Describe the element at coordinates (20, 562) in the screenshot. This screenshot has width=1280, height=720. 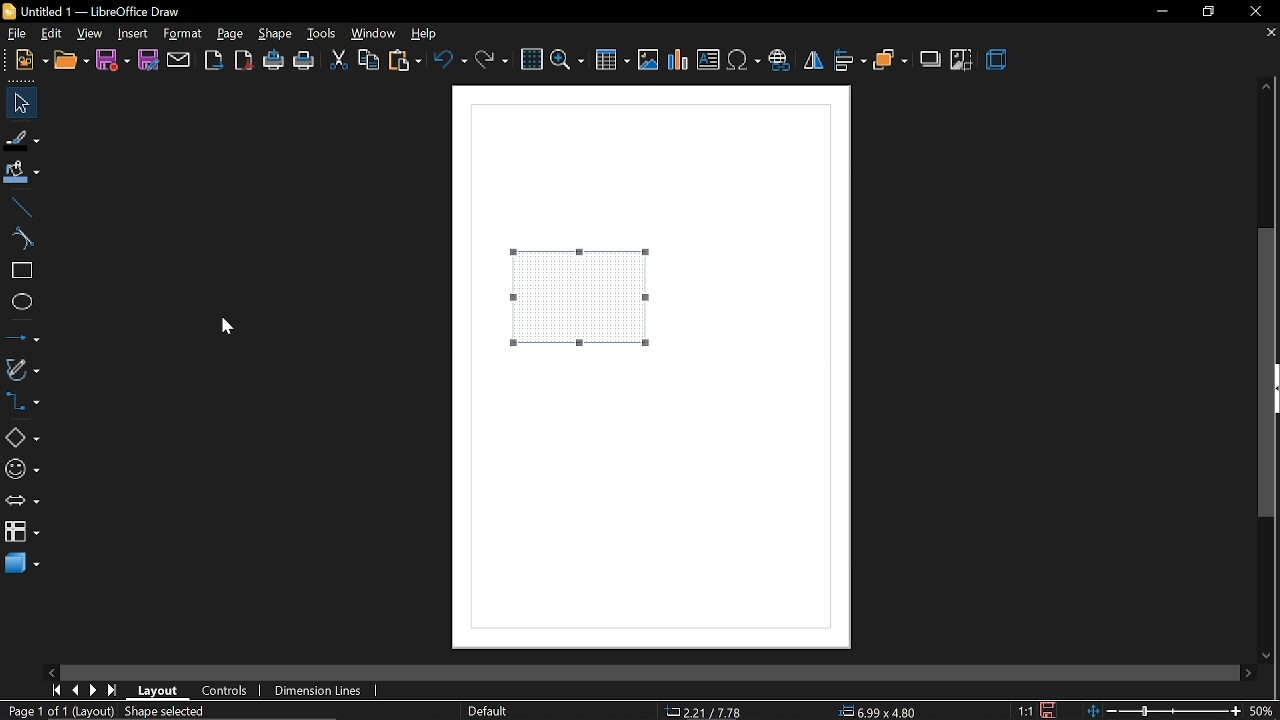
I see `3d shapes` at that location.